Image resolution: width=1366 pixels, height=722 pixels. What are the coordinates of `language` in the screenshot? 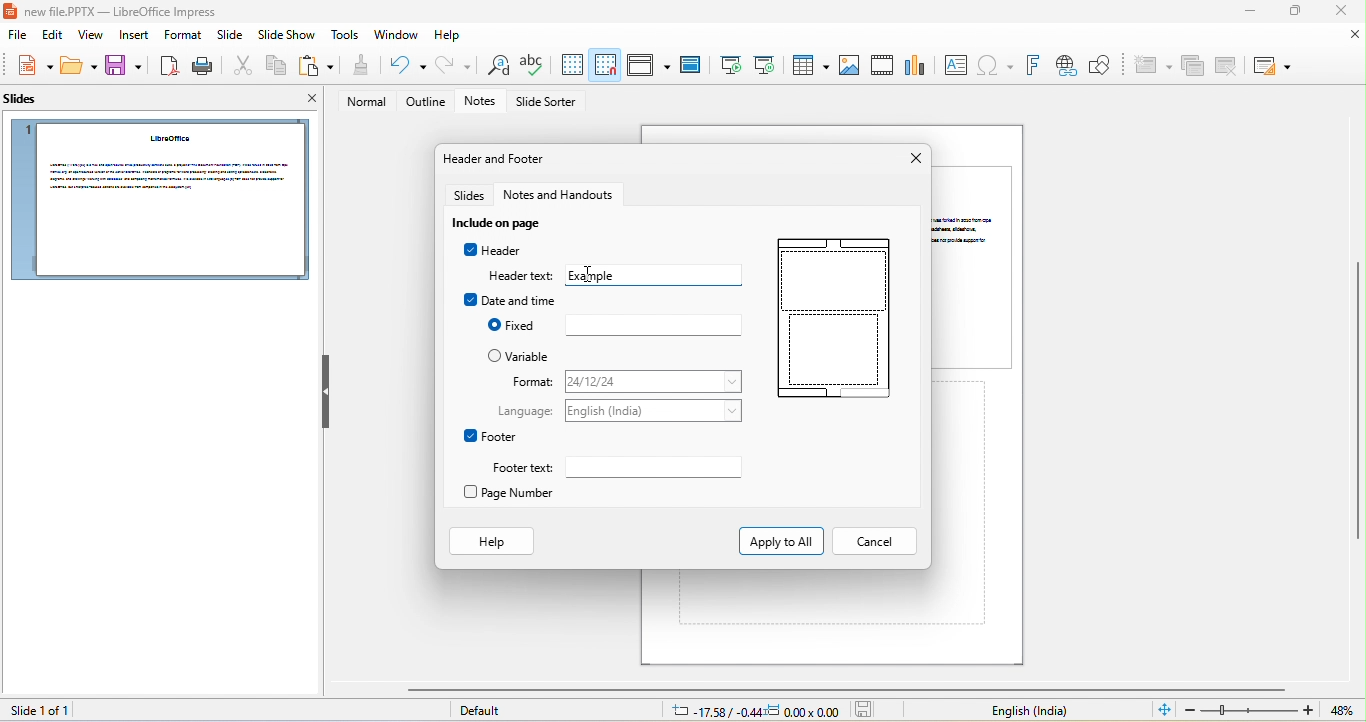 It's located at (656, 411).